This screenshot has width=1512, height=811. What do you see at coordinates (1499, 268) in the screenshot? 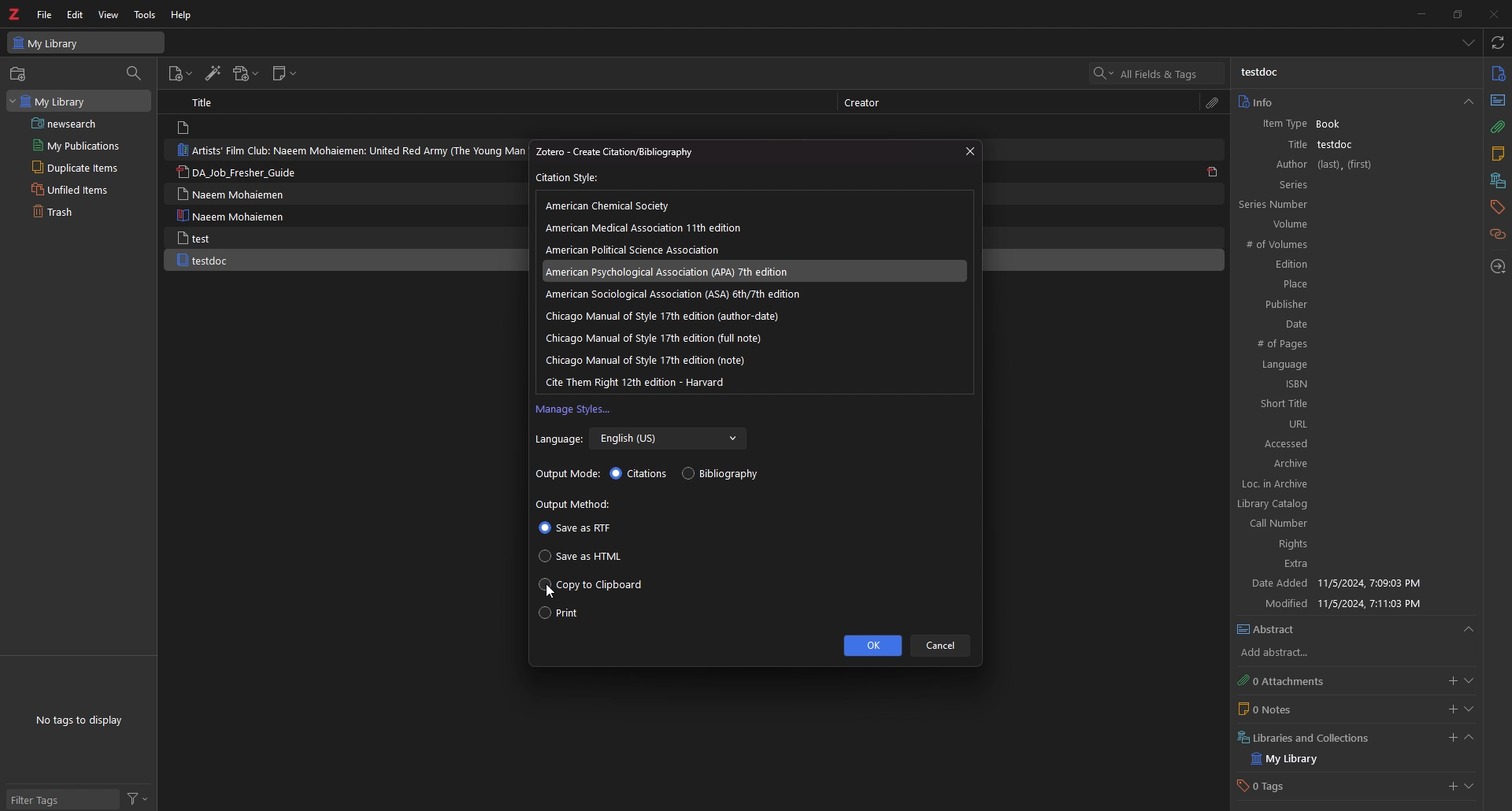
I see `locate` at bounding box center [1499, 268].